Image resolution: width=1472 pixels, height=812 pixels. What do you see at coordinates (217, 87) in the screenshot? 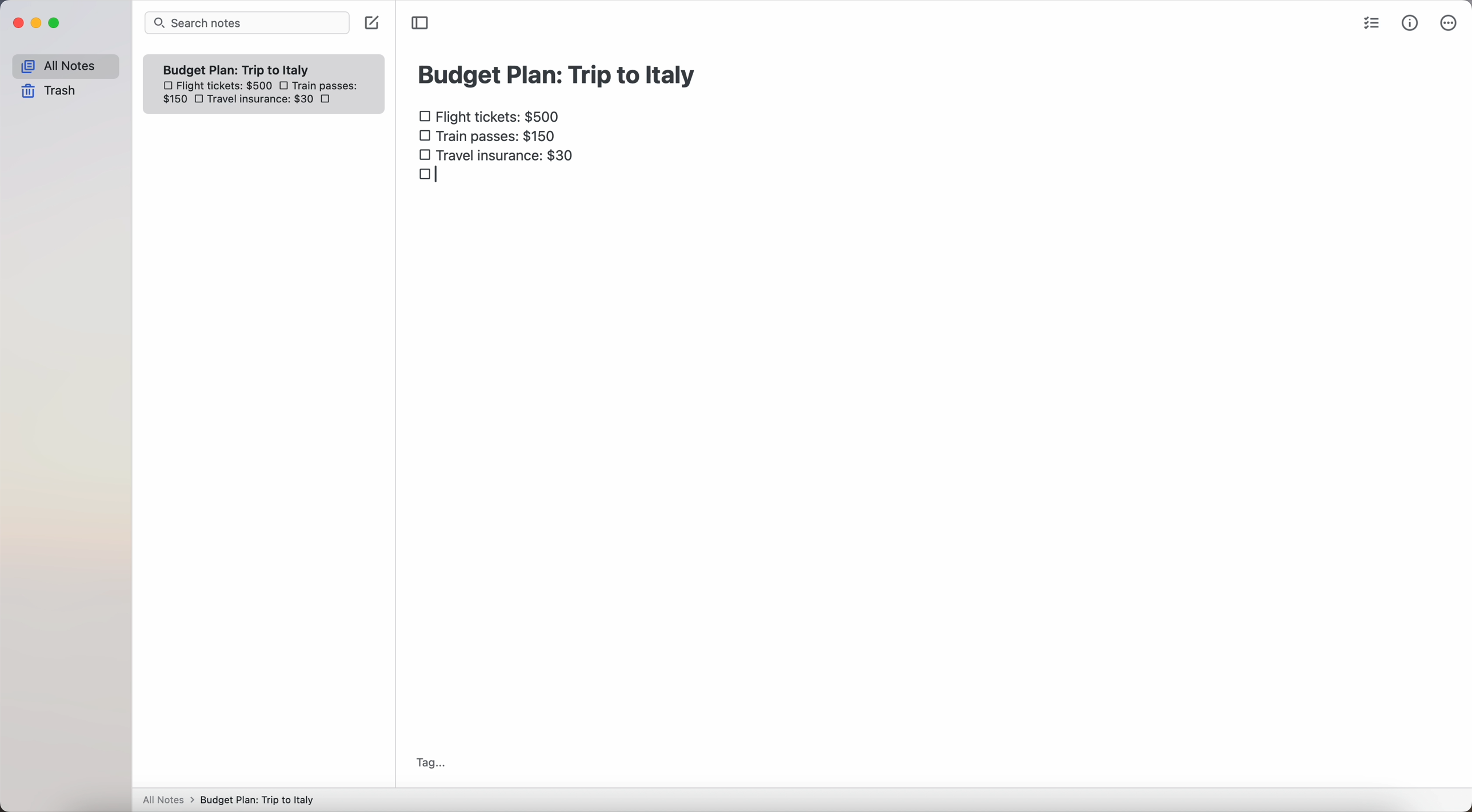
I see `flight tickets: $500` at bounding box center [217, 87].